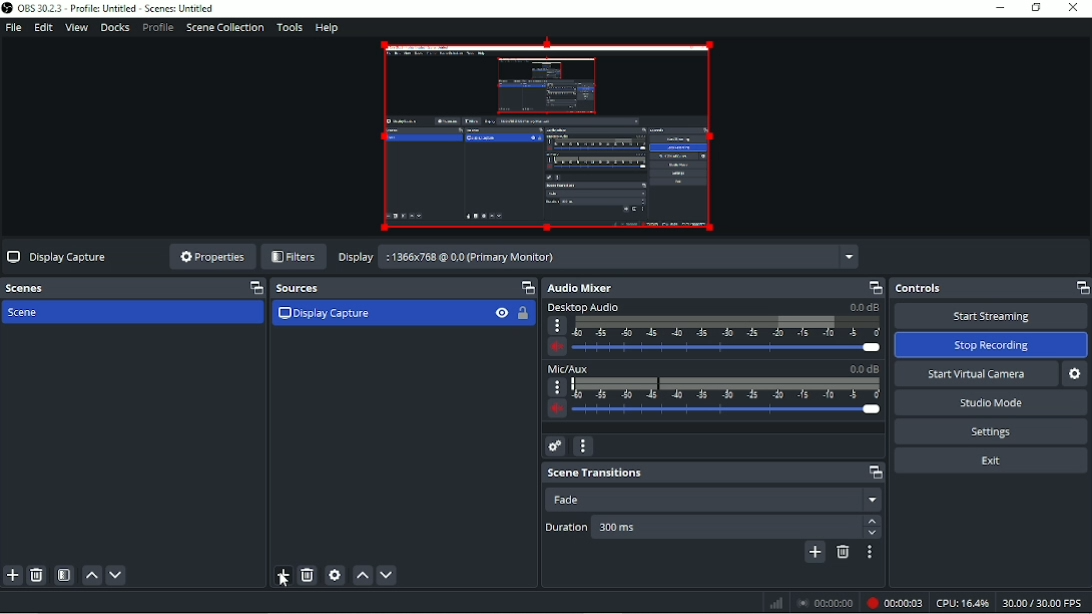  I want to click on Recording 00:00:03, so click(895, 603).